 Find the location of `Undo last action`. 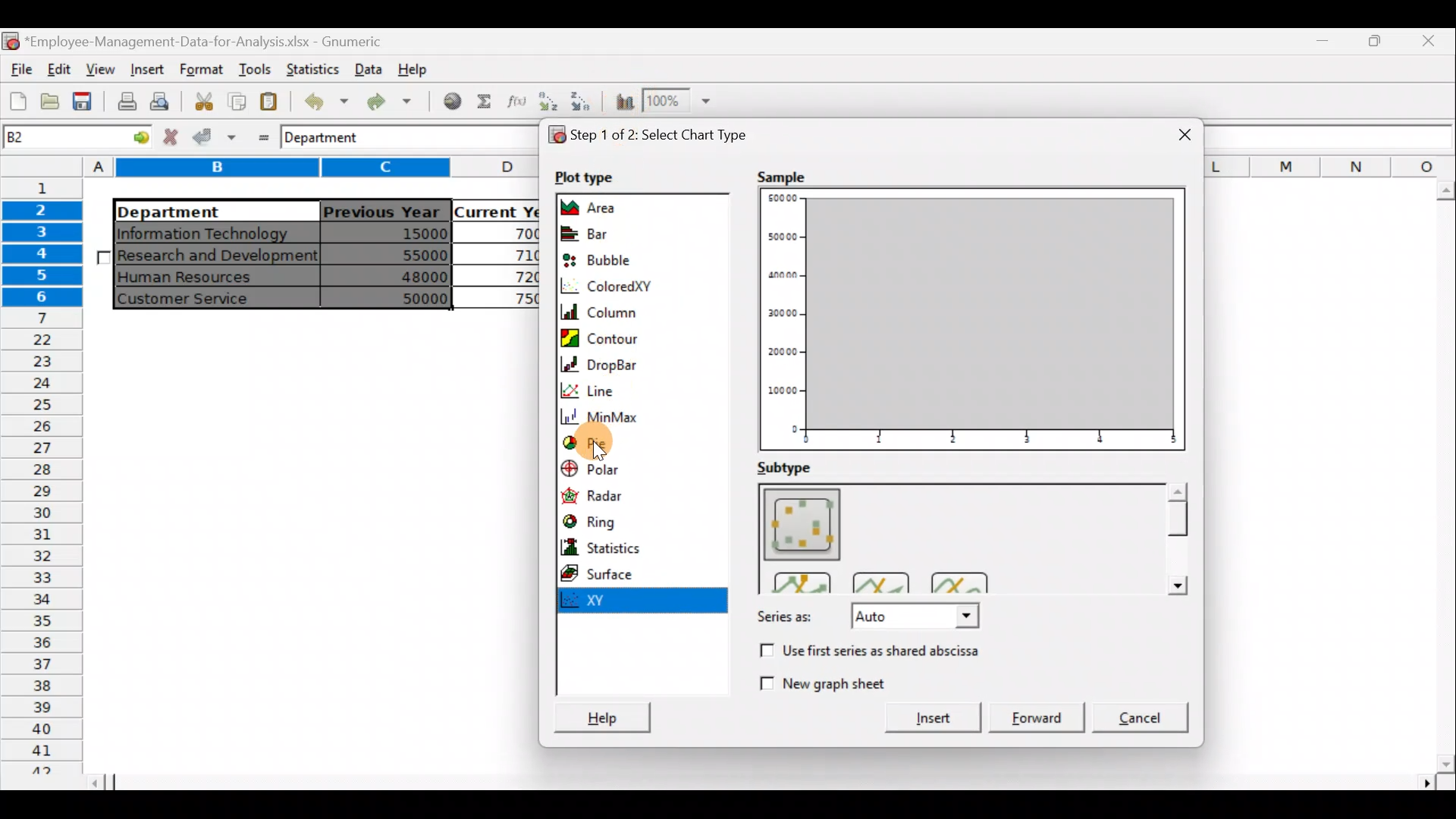

Undo last action is located at coordinates (324, 101).